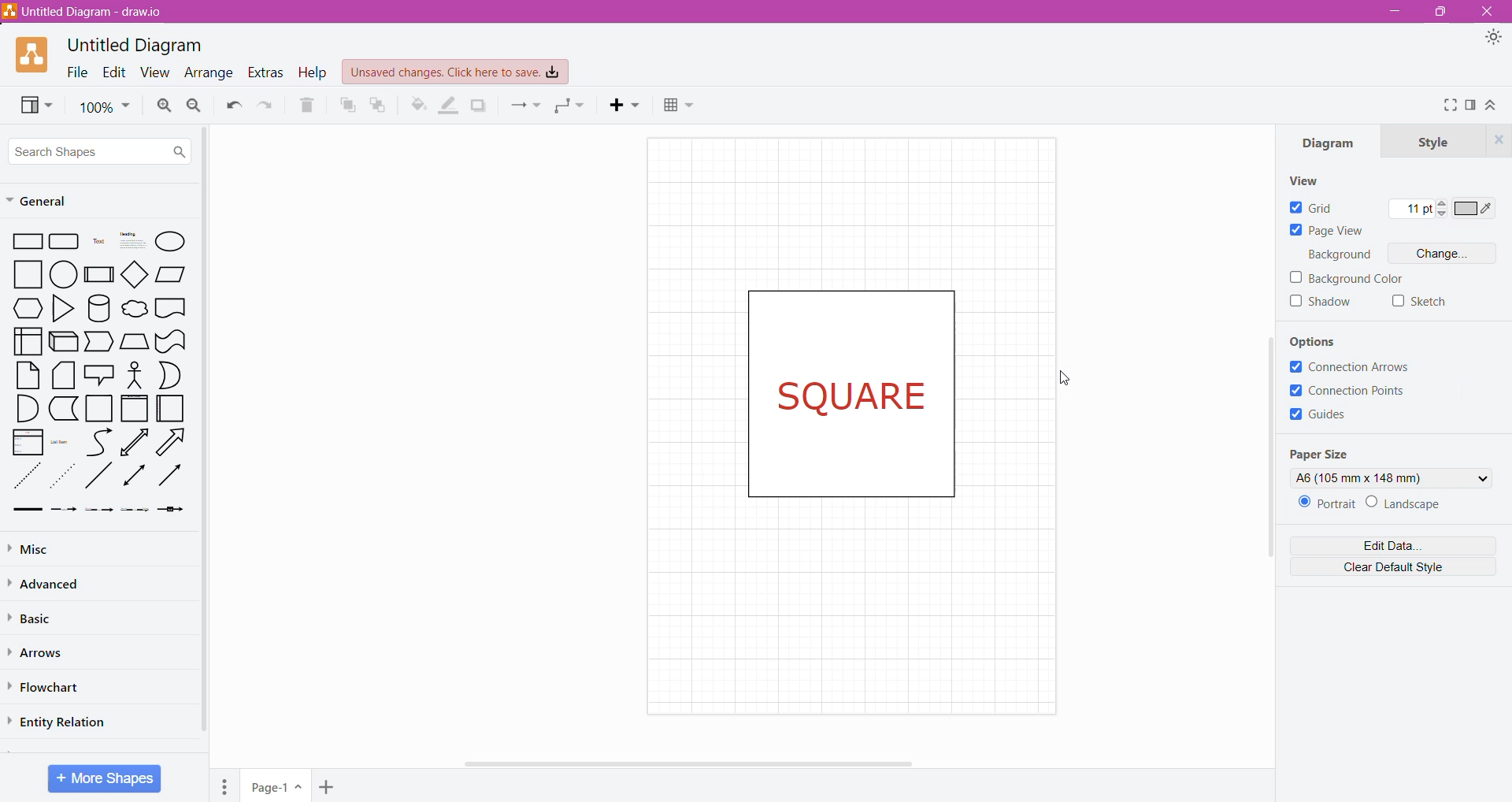 The height and width of the screenshot is (802, 1512). What do you see at coordinates (132, 240) in the screenshot?
I see `Heading` at bounding box center [132, 240].